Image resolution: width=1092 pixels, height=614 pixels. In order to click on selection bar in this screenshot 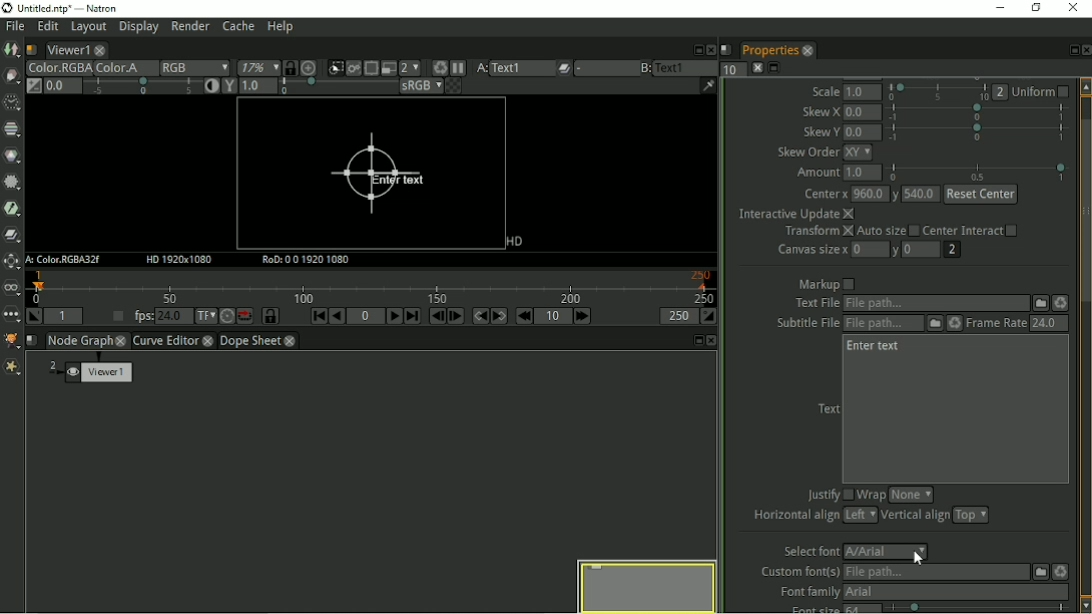, I will do `click(336, 87)`.